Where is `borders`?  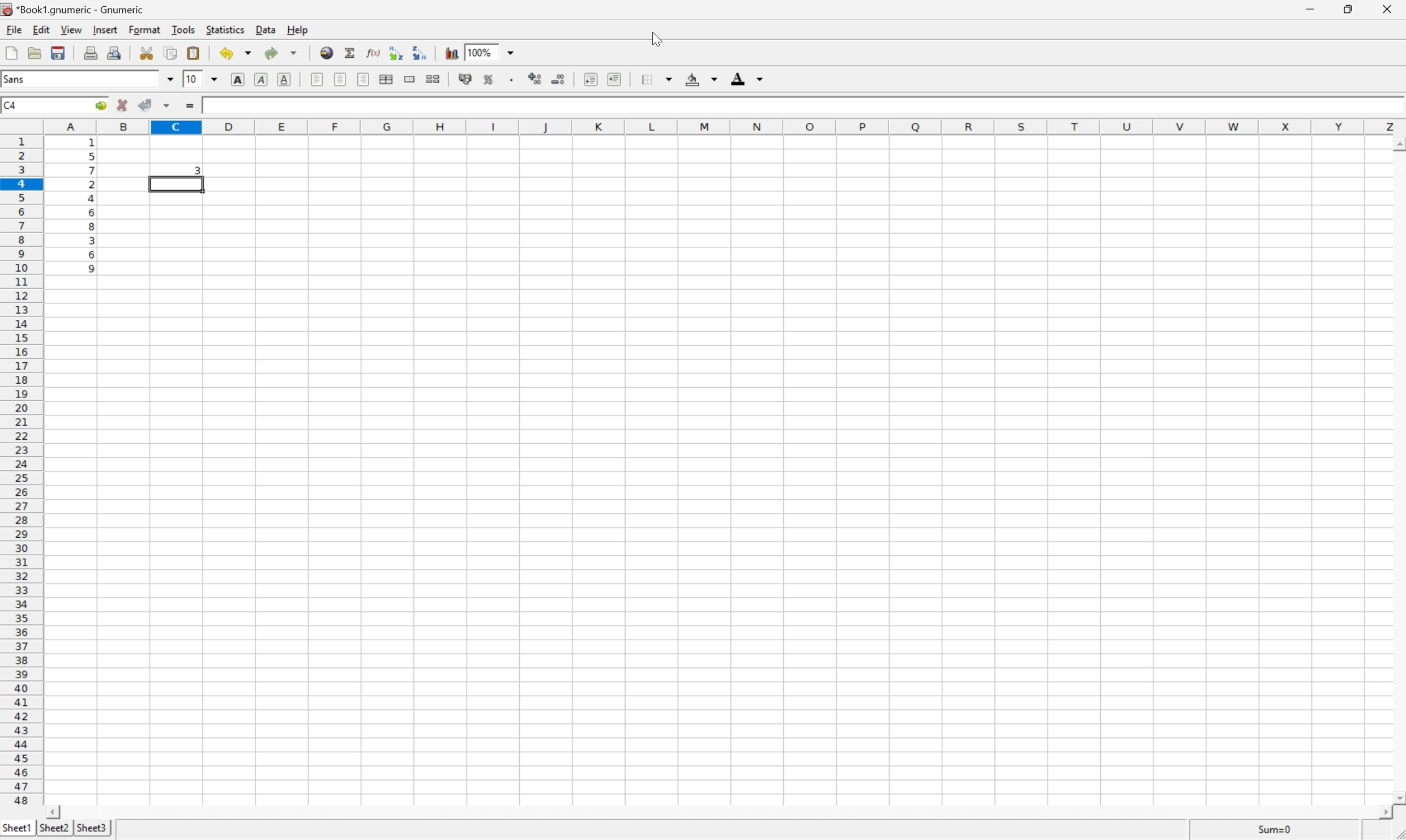
borders is located at coordinates (656, 79).